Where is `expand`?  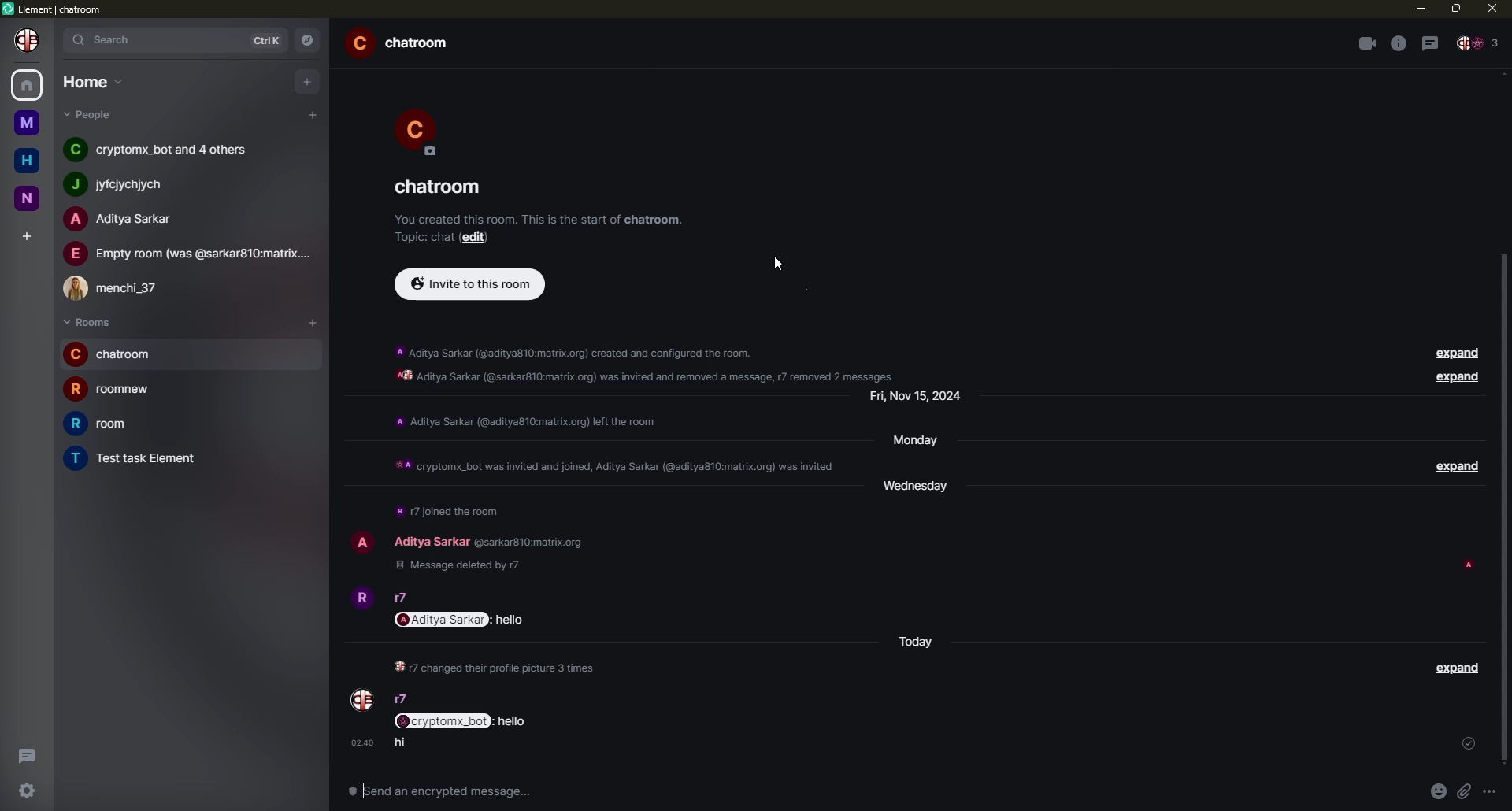
expand is located at coordinates (1458, 674).